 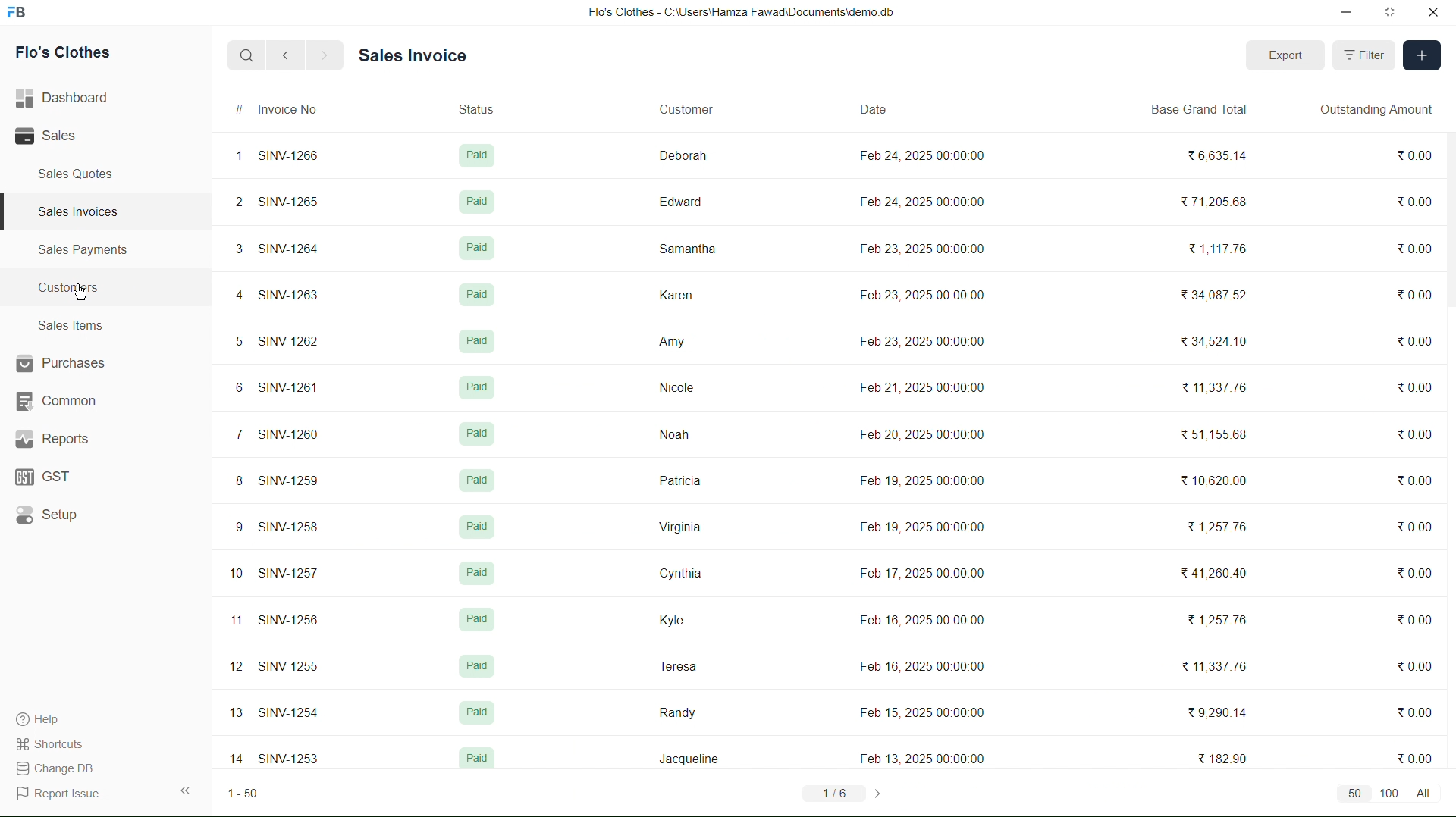 What do you see at coordinates (686, 248) in the screenshot?
I see `Samantha` at bounding box center [686, 248].